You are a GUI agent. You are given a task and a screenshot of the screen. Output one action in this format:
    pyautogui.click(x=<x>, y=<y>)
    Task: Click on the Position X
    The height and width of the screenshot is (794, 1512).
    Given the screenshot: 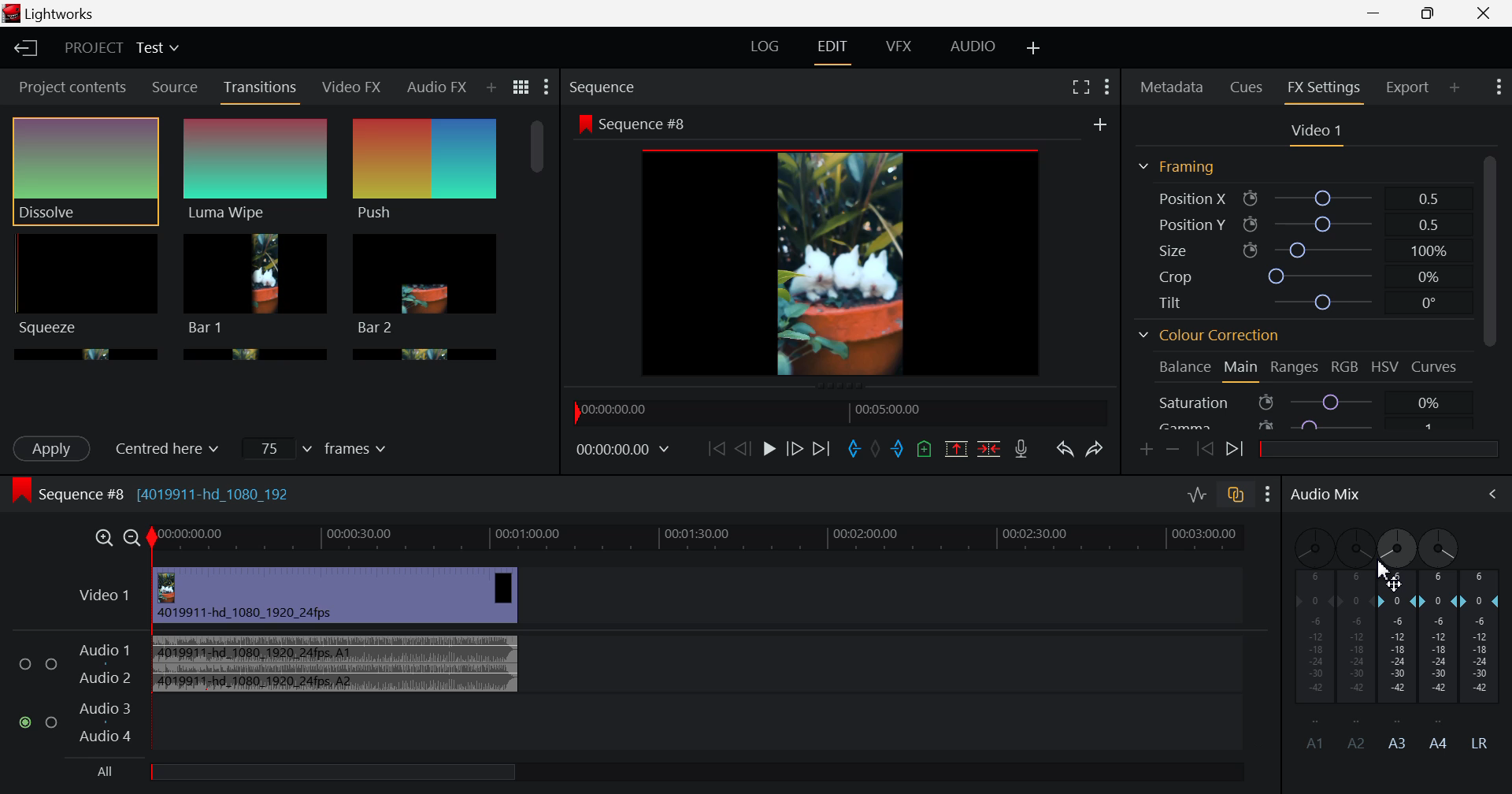 What is the action you would take?
    pyautogui.click(x=1301, y=198)
    